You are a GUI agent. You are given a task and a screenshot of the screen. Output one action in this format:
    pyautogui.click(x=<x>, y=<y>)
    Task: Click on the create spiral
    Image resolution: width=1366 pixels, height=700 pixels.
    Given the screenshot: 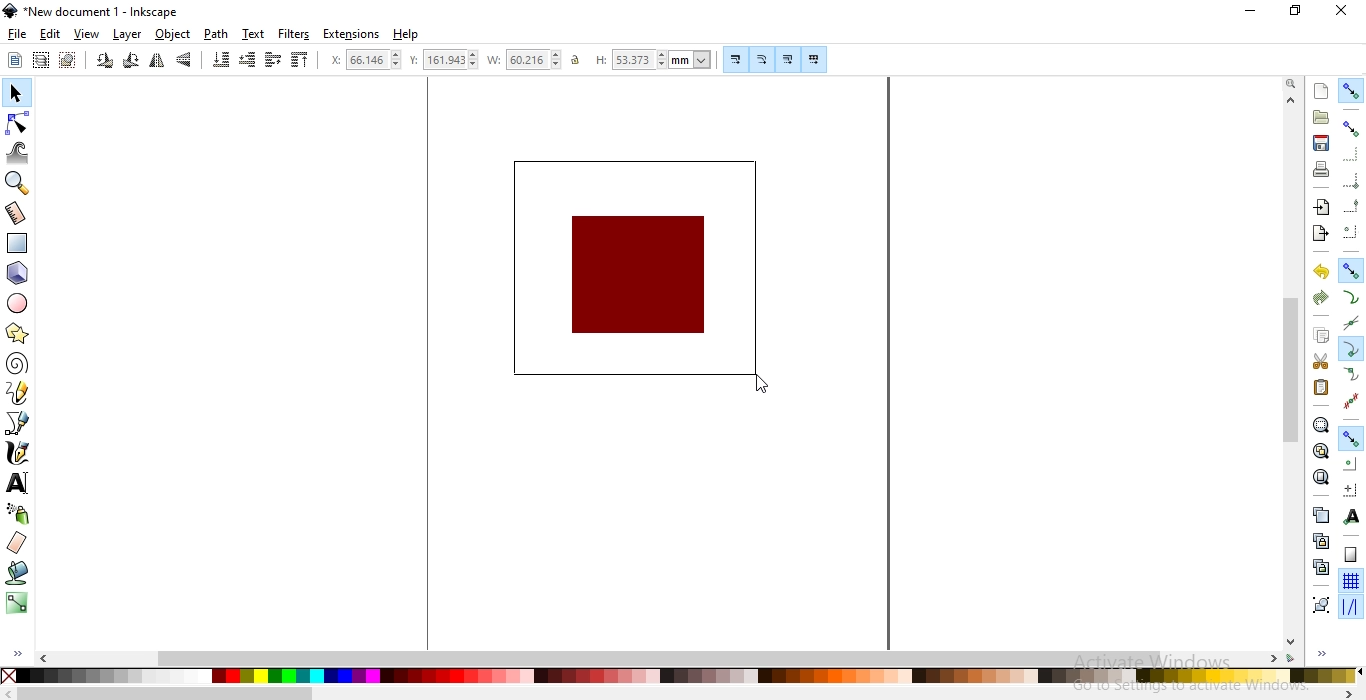 What is the action you would take?
    pyautogui.click(x=16, y=364)
    